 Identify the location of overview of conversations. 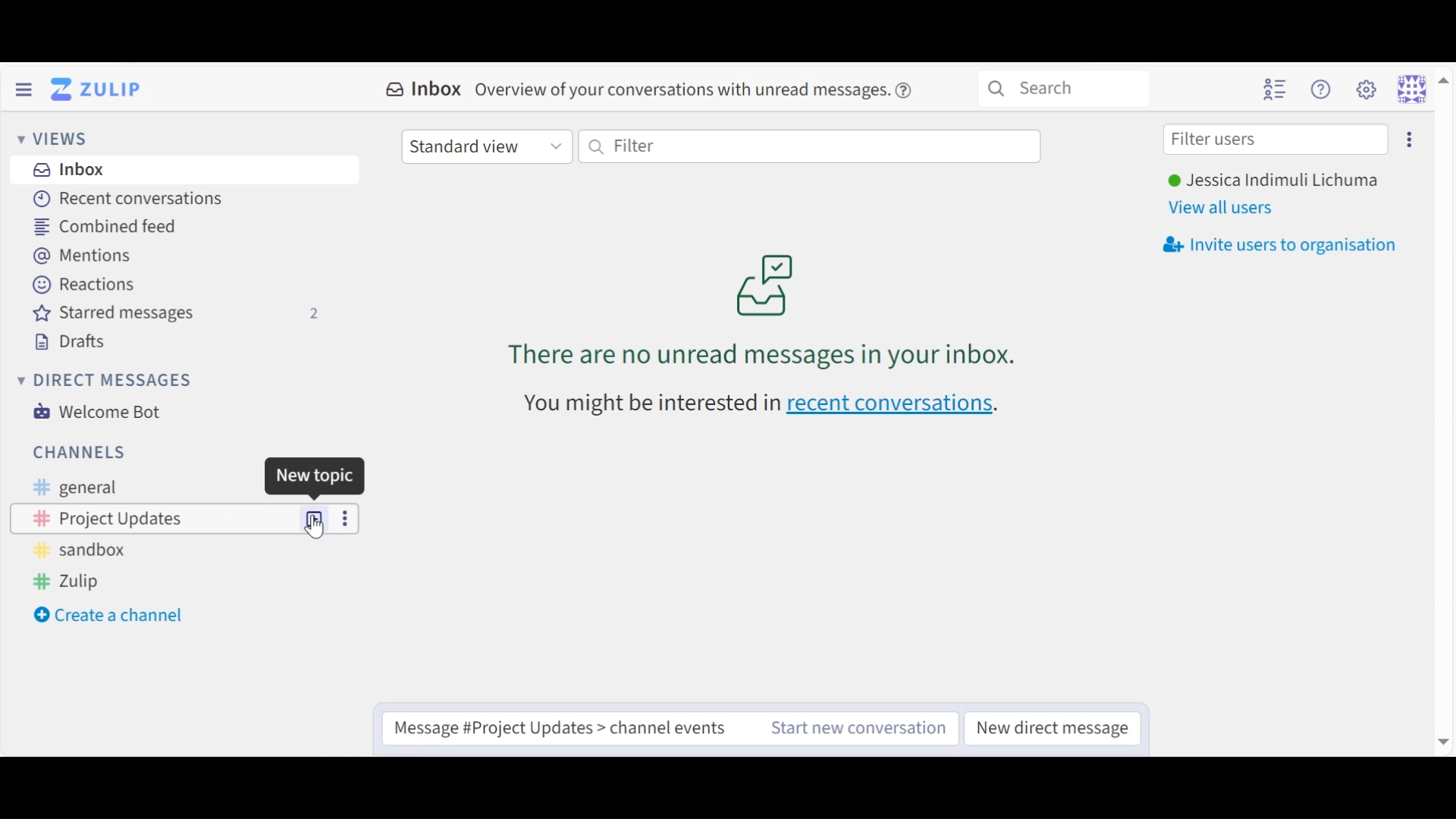
(682, 91).